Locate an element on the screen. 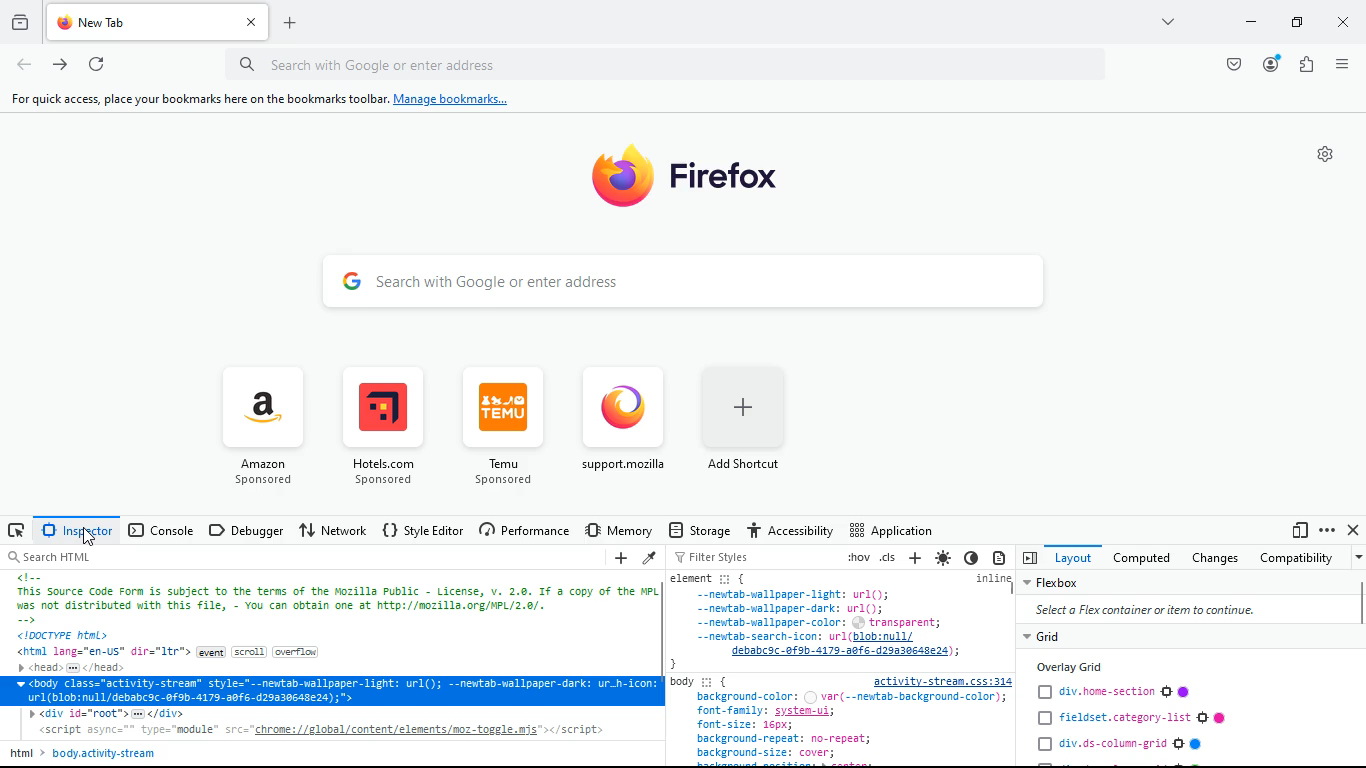 The image size is (1366, 768). inspector is located at coordinates (75, 530).